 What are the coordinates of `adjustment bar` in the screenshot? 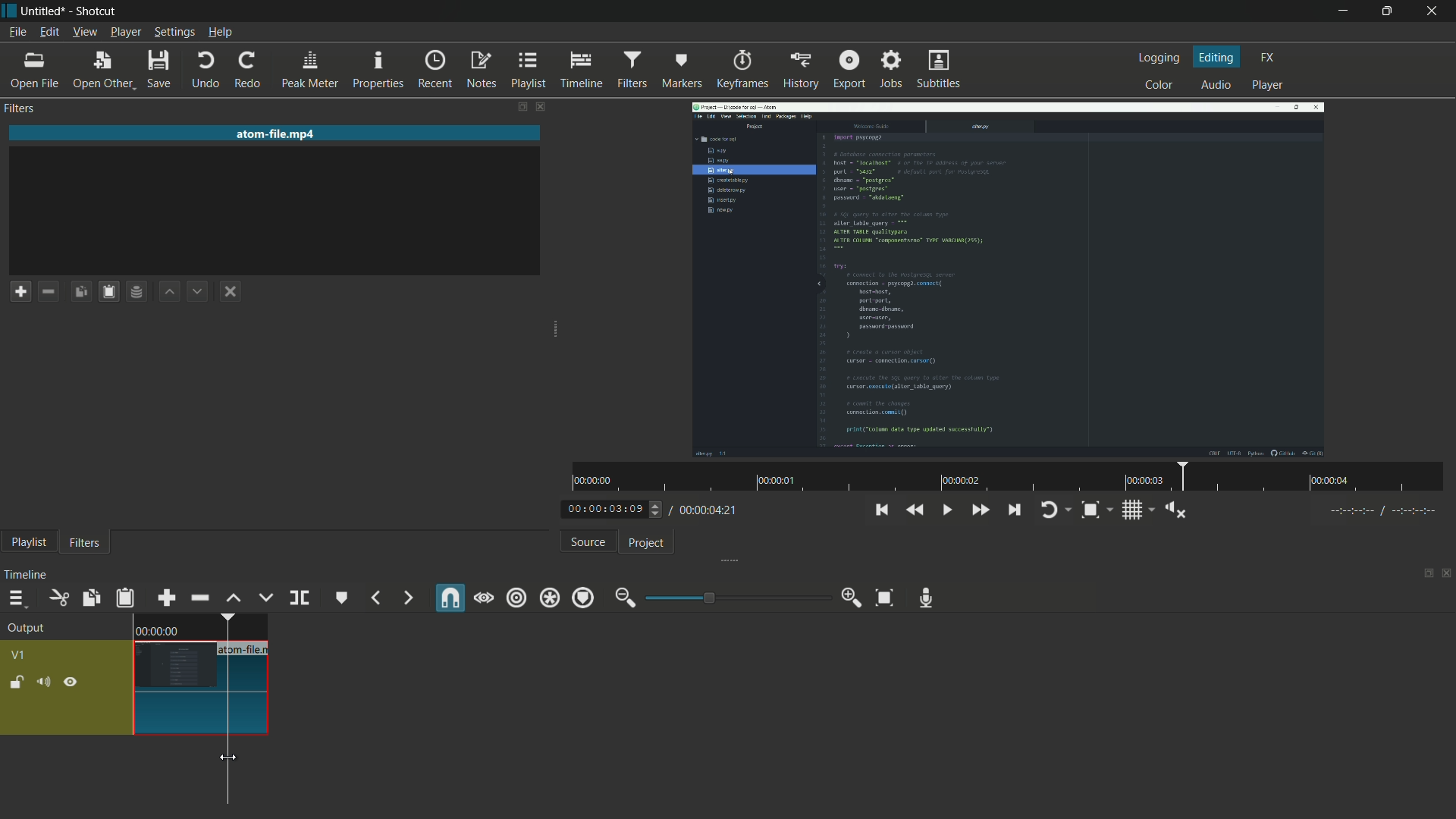 It's located at (736, 598).